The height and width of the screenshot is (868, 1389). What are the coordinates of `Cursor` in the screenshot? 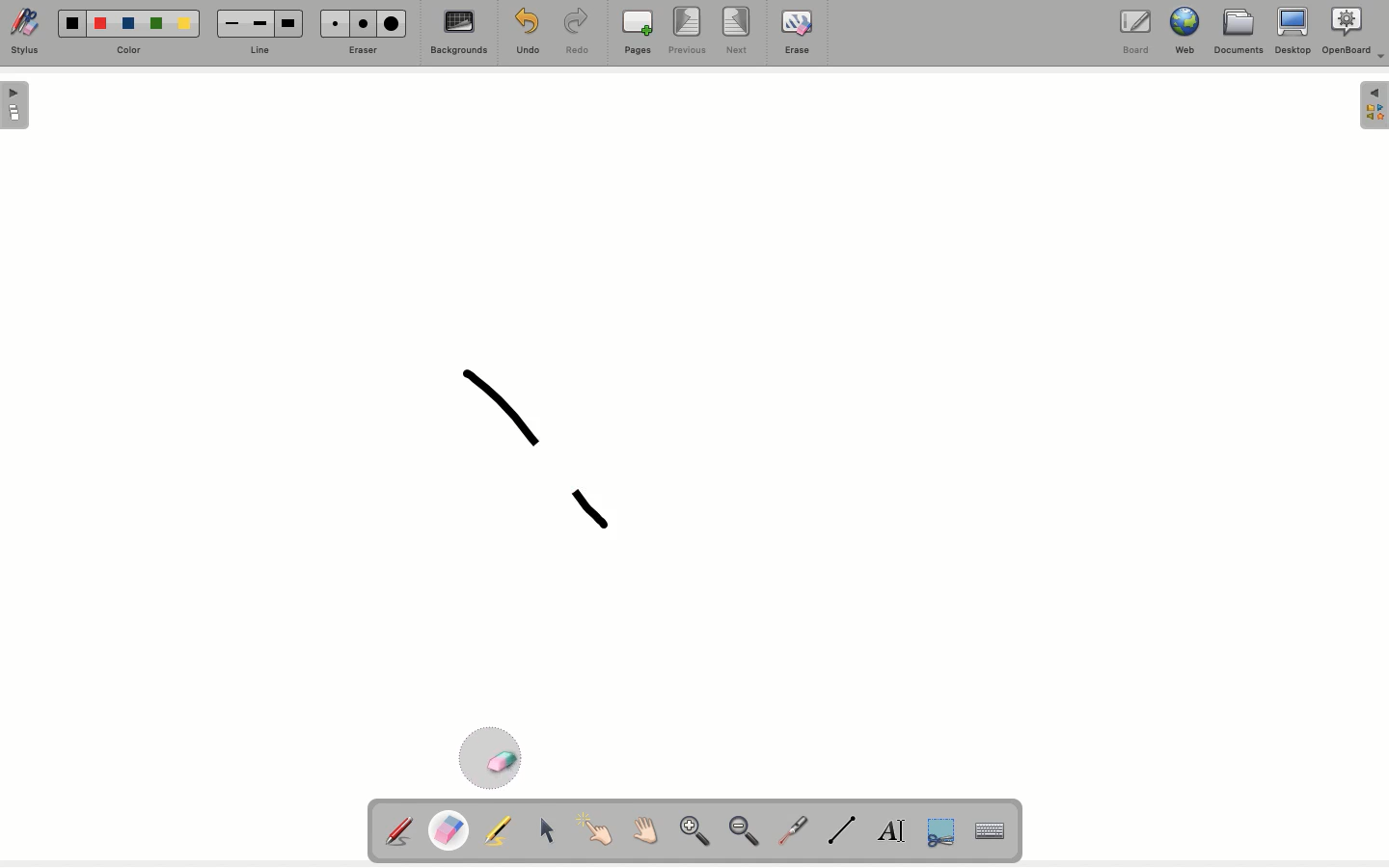 It's located at (545, 827).